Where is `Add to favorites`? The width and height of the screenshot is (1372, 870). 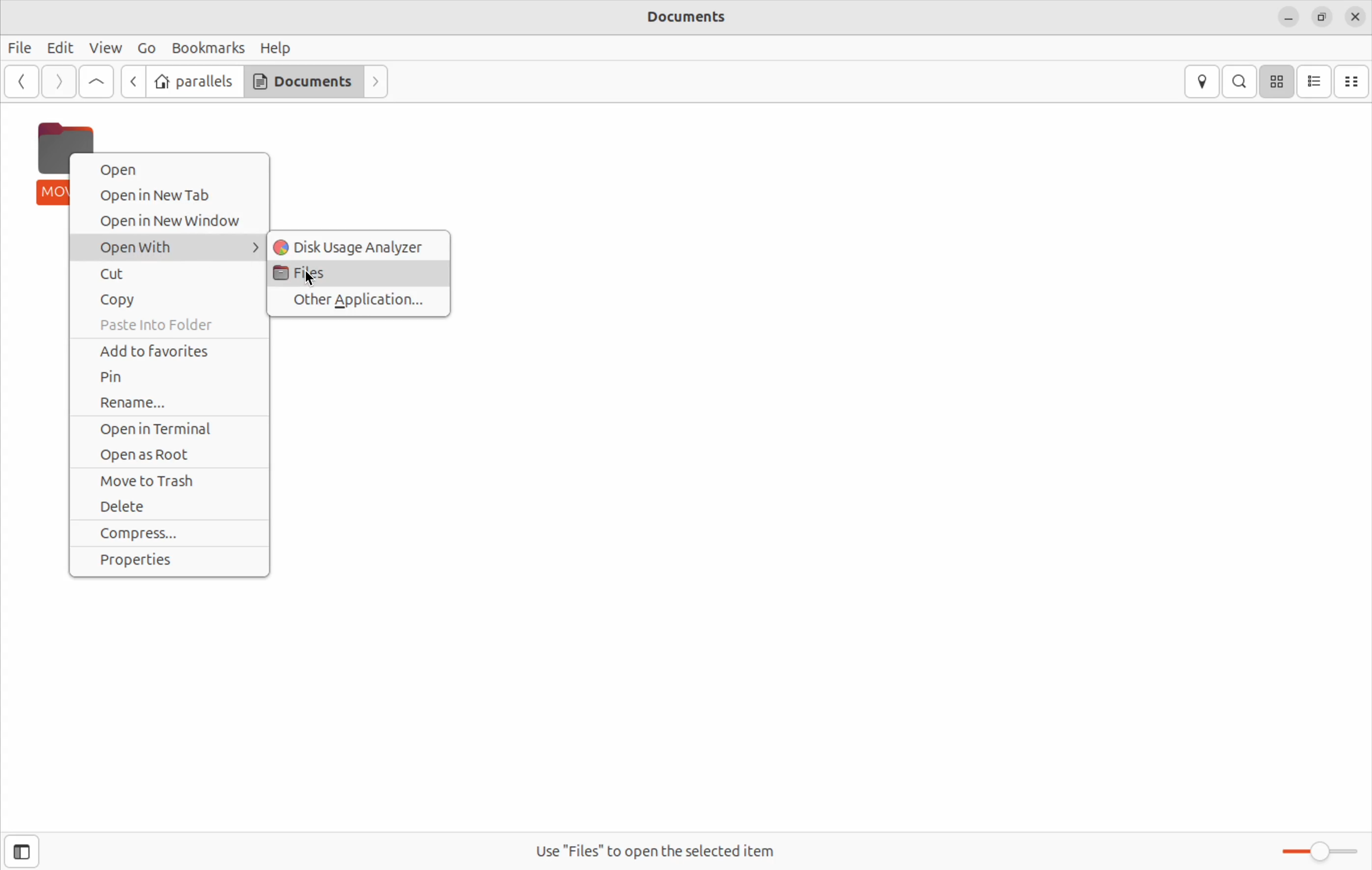
Add to favorites is located at coordinates (168, 349).